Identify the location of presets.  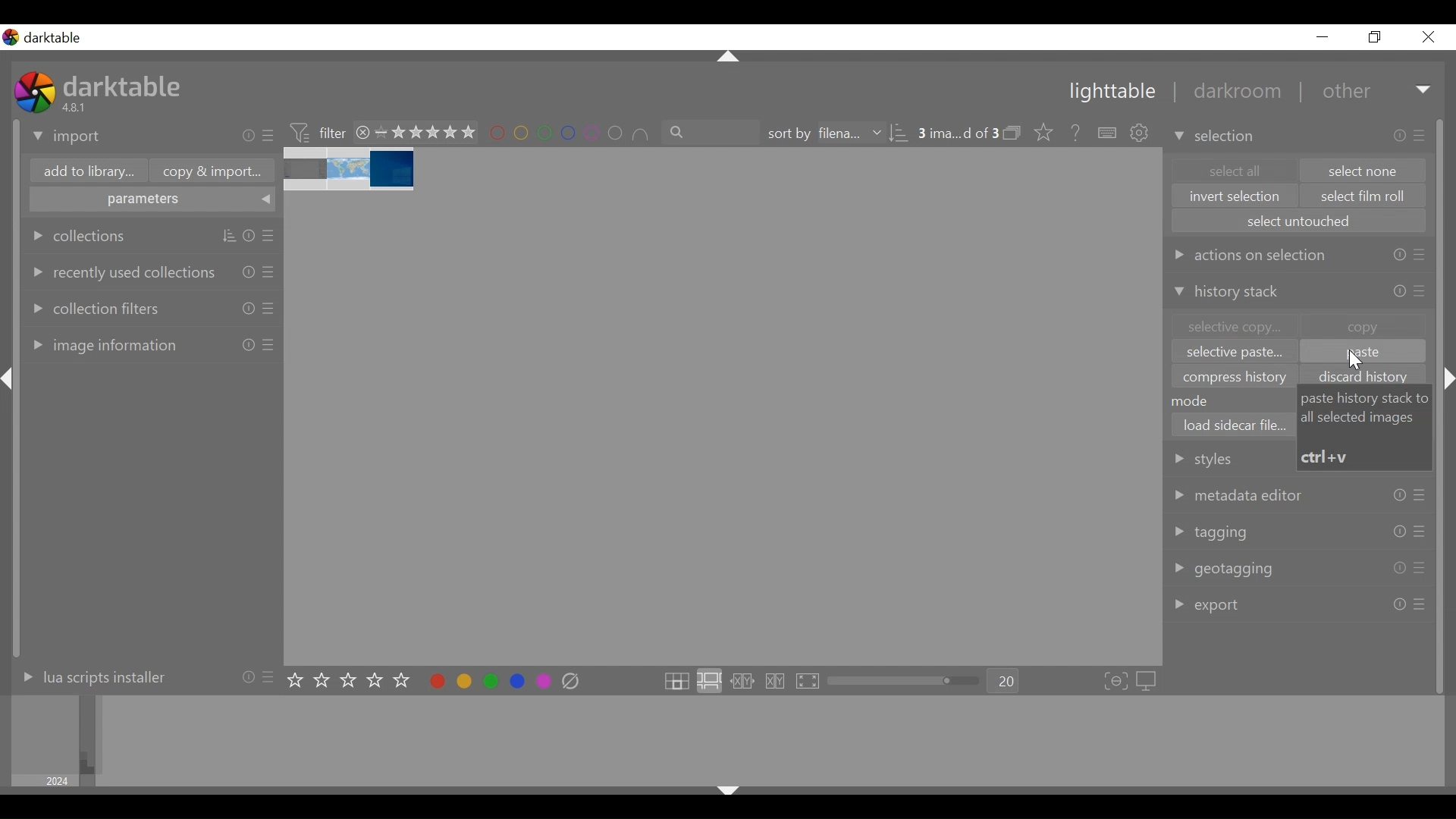
(1422, 134).